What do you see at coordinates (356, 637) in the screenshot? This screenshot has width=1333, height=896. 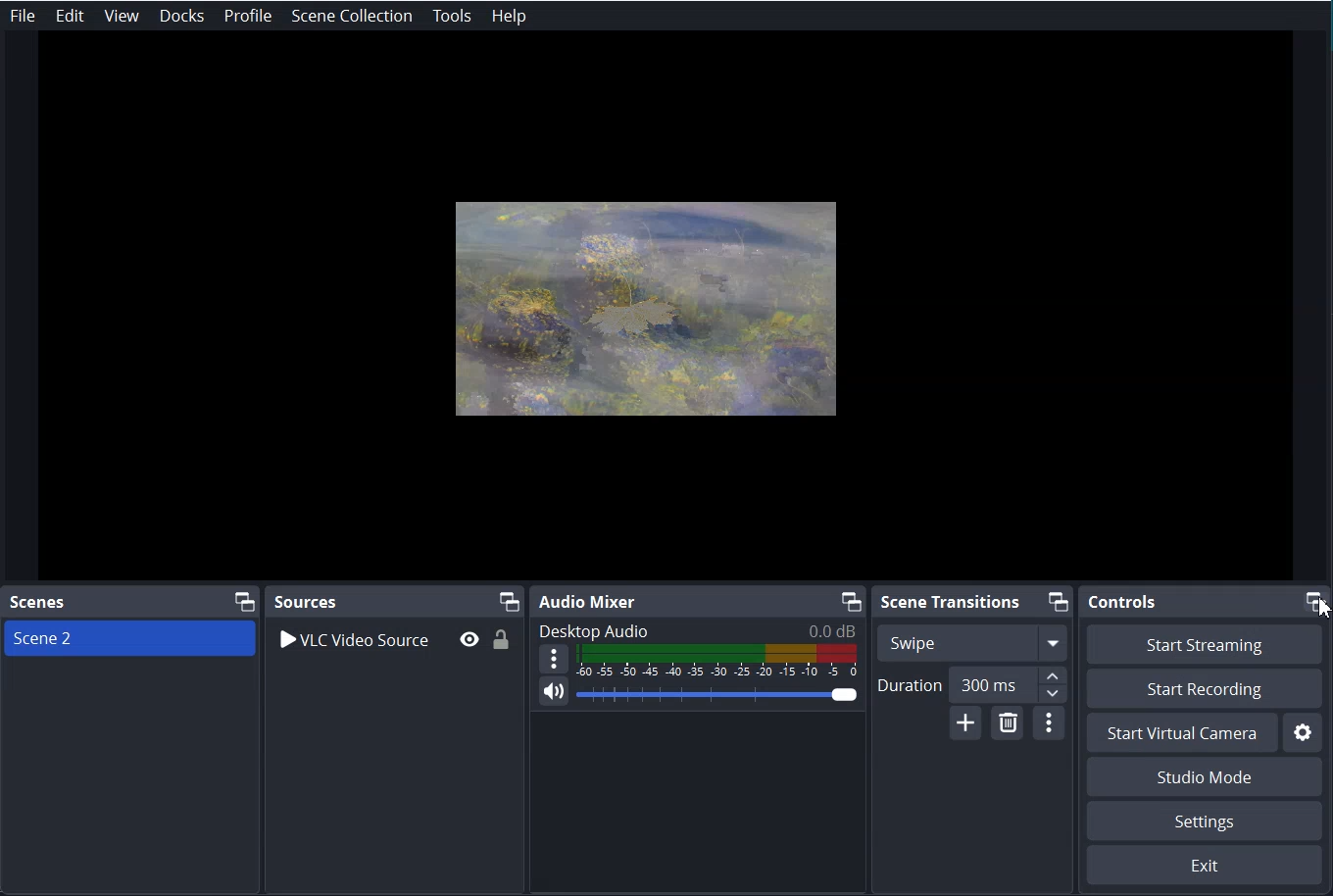 I see `VLC Video Source` at bounding box center [356, 637].